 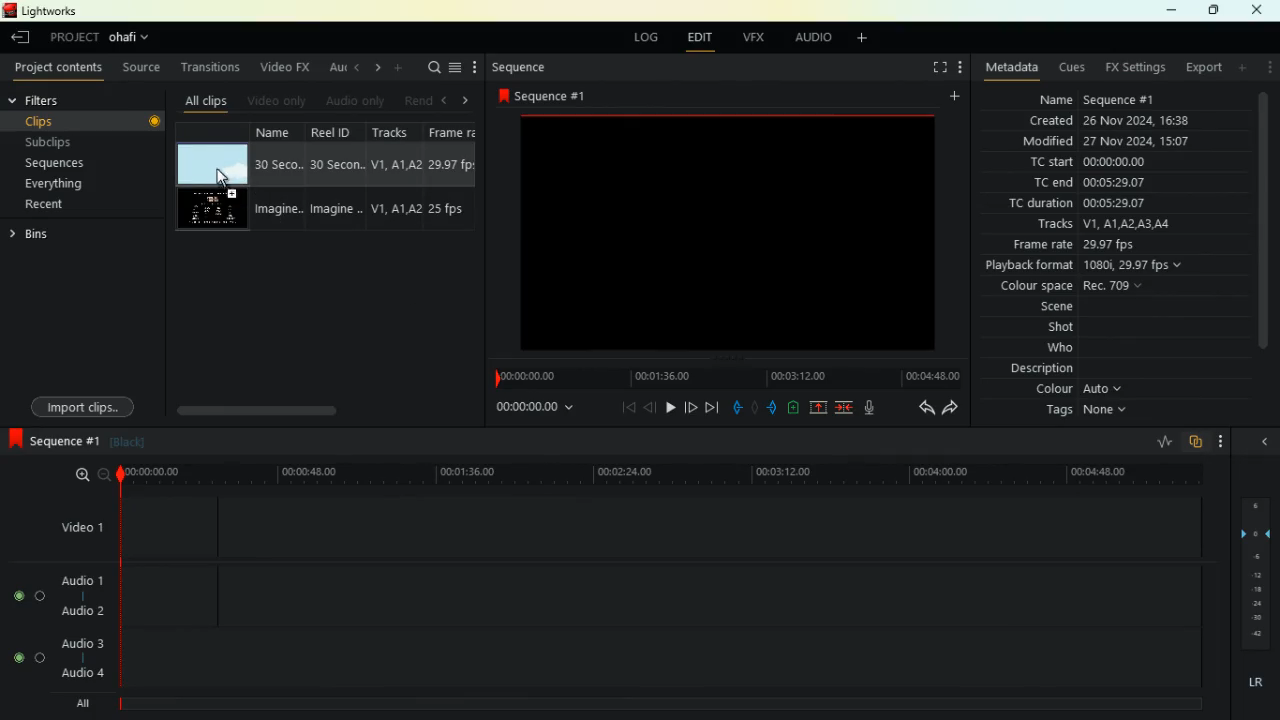 What do you see at coordinates (1143, 141) in the screenshot?
I see `27 Nov 2024, 15:07` at bounding box center [1143, 141].